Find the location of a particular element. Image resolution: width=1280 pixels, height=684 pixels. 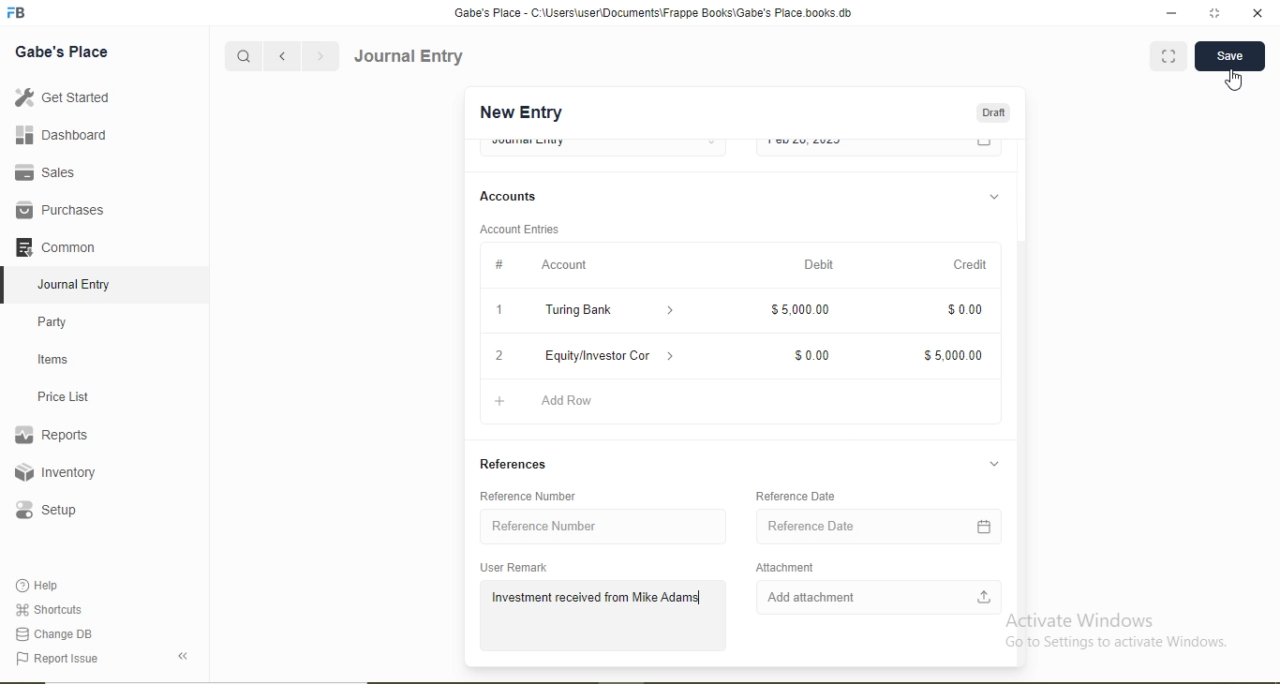

Journal Entry is located at coordinates (76, 285).